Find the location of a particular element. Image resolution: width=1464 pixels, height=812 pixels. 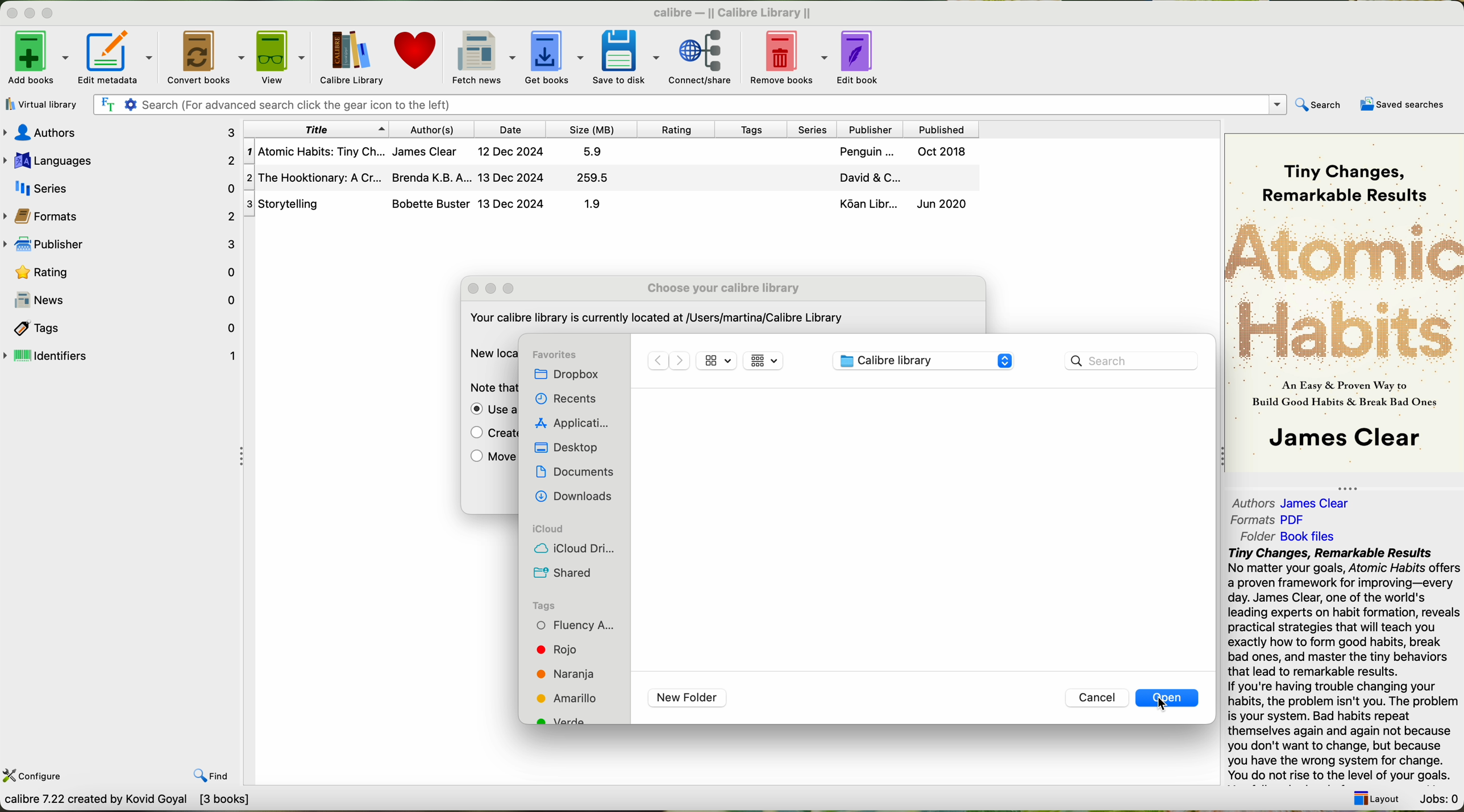

configure is located at coordinates (44, 777).